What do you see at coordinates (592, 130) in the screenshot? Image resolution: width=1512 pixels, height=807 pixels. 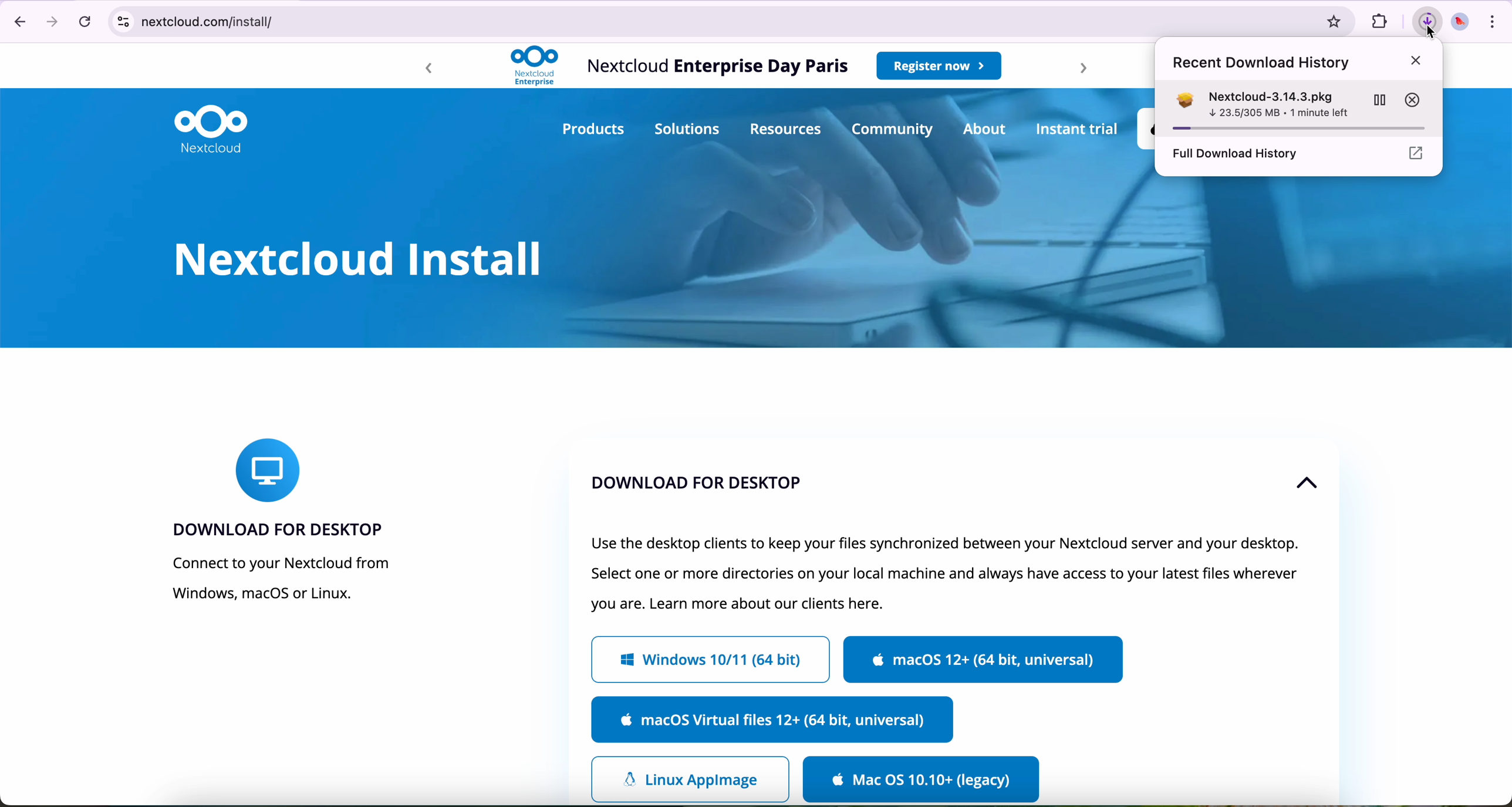 I see `products` at bounding box center [592, 130].